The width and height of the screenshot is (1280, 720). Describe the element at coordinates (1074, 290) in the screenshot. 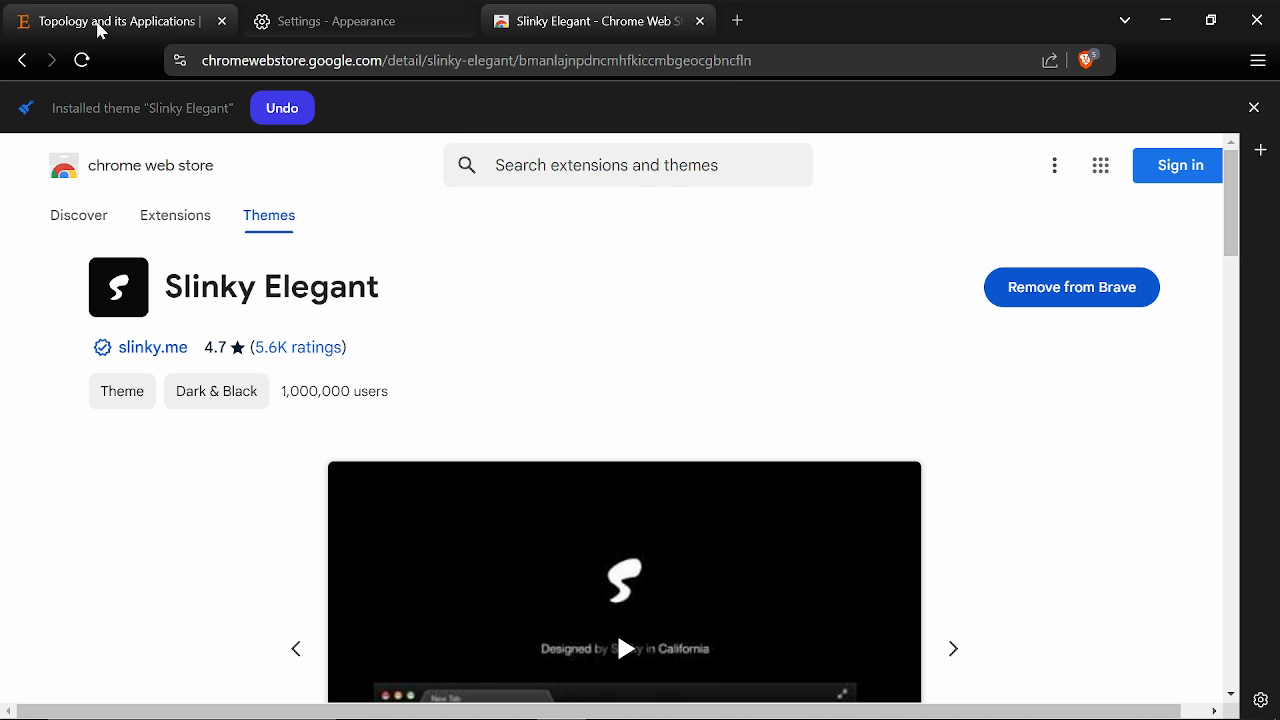

I see `Remove from brave` at that location.